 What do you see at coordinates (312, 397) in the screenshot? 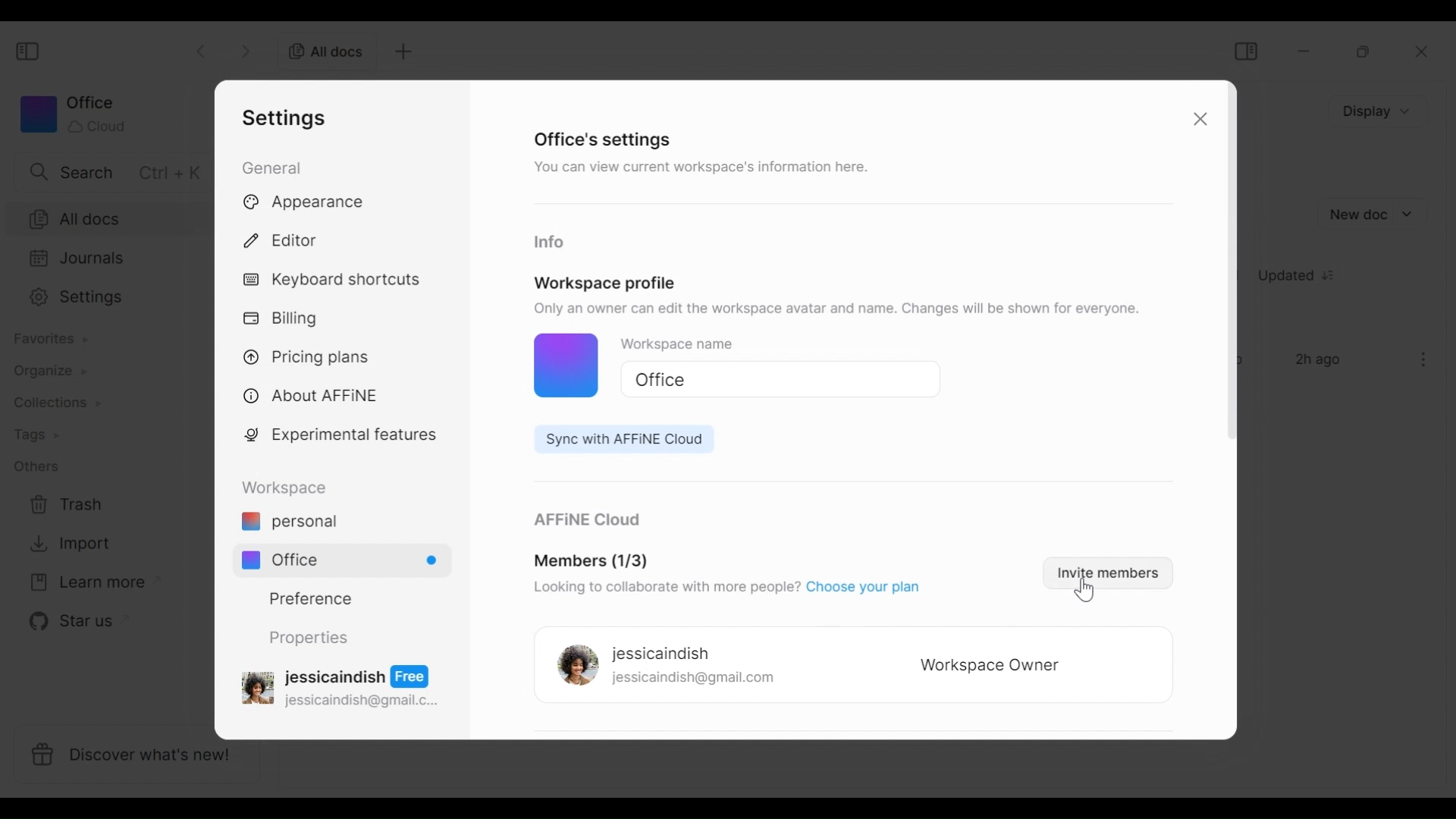
I see `about AFFiNE` at bounding box center [312, 397].